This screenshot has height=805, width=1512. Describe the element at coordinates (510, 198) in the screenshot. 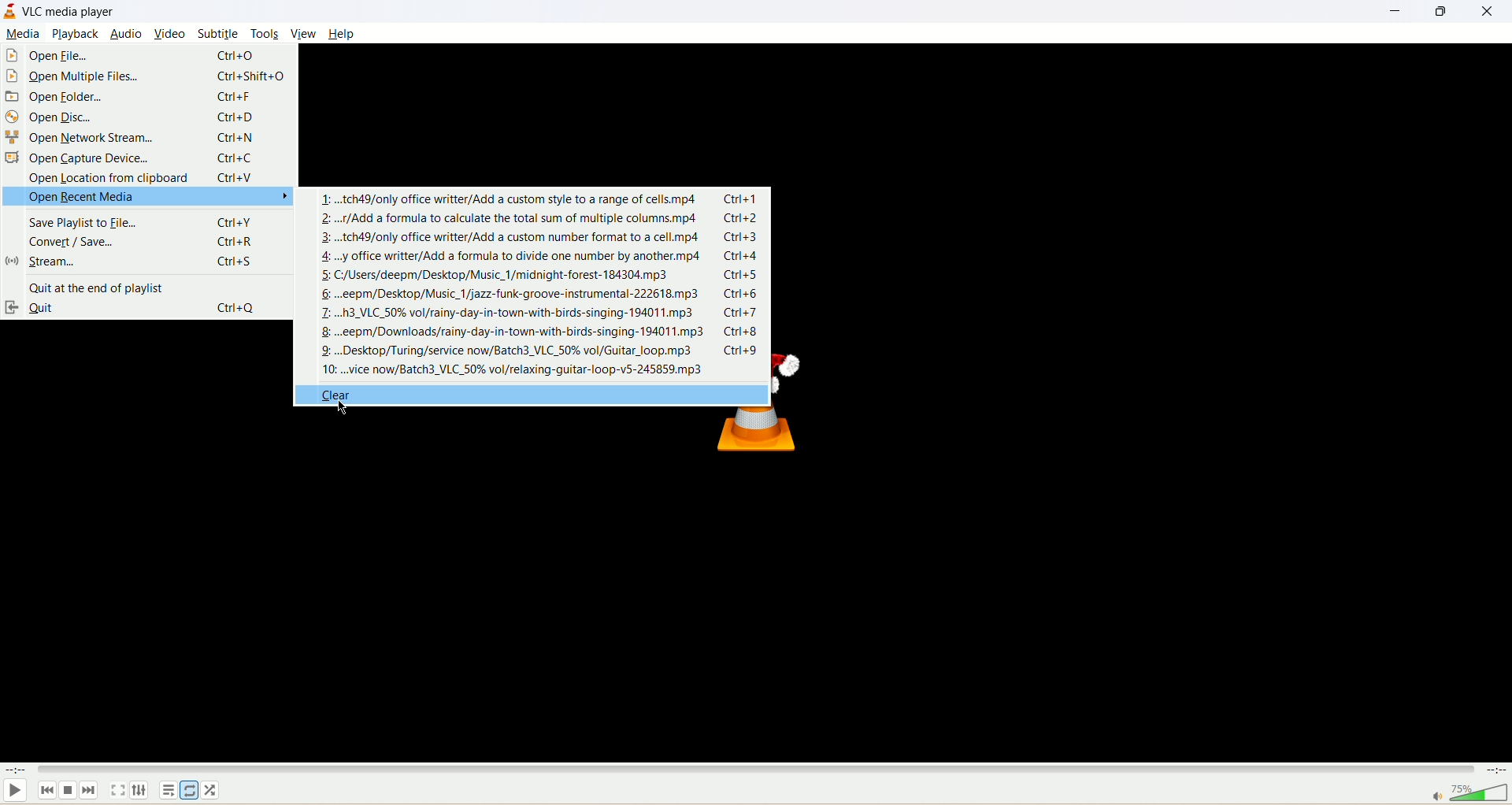

I see `RRR,
1: ...tch49/only office writter/Add a custom style to a range of cells.mp4` at that location.